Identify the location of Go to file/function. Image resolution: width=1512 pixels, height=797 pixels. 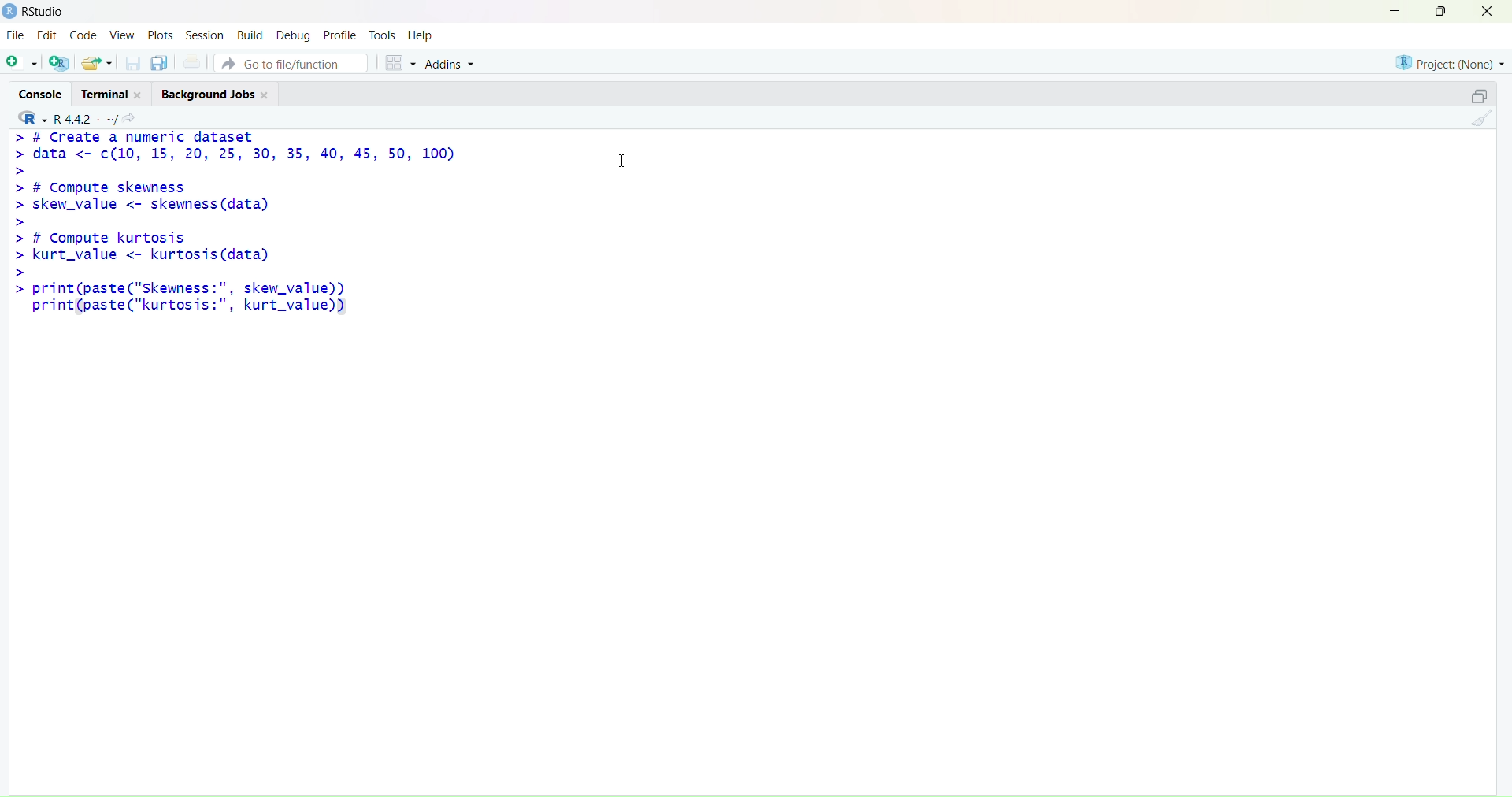
(293, 62).